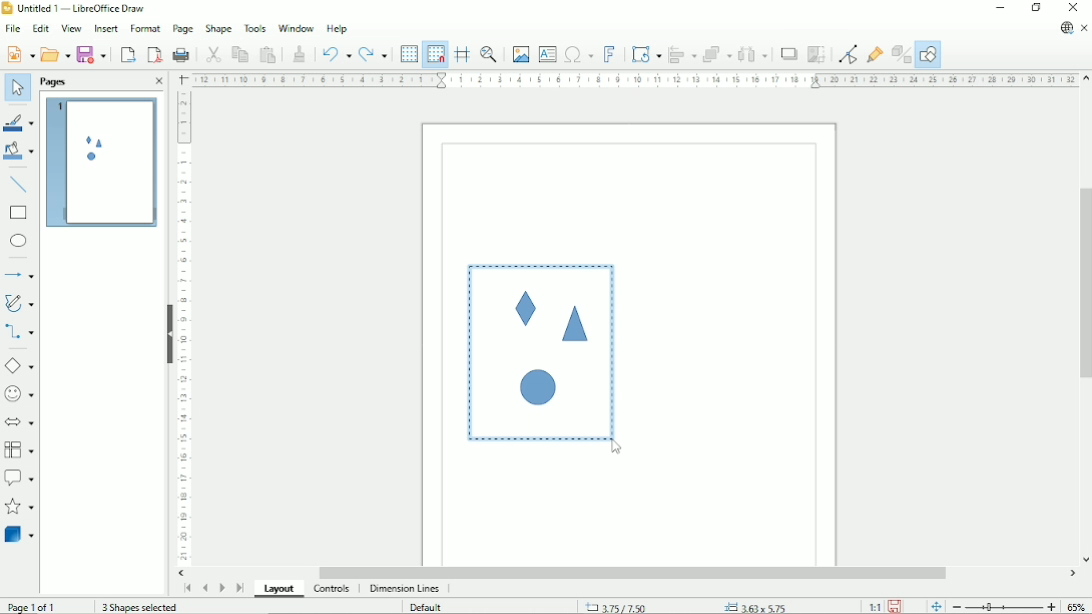 The height and width of the screenshot is (614, 1092). Describe the element at coordinates (488, 54) in the screenshot. I see `Zoom & pan` at that location.